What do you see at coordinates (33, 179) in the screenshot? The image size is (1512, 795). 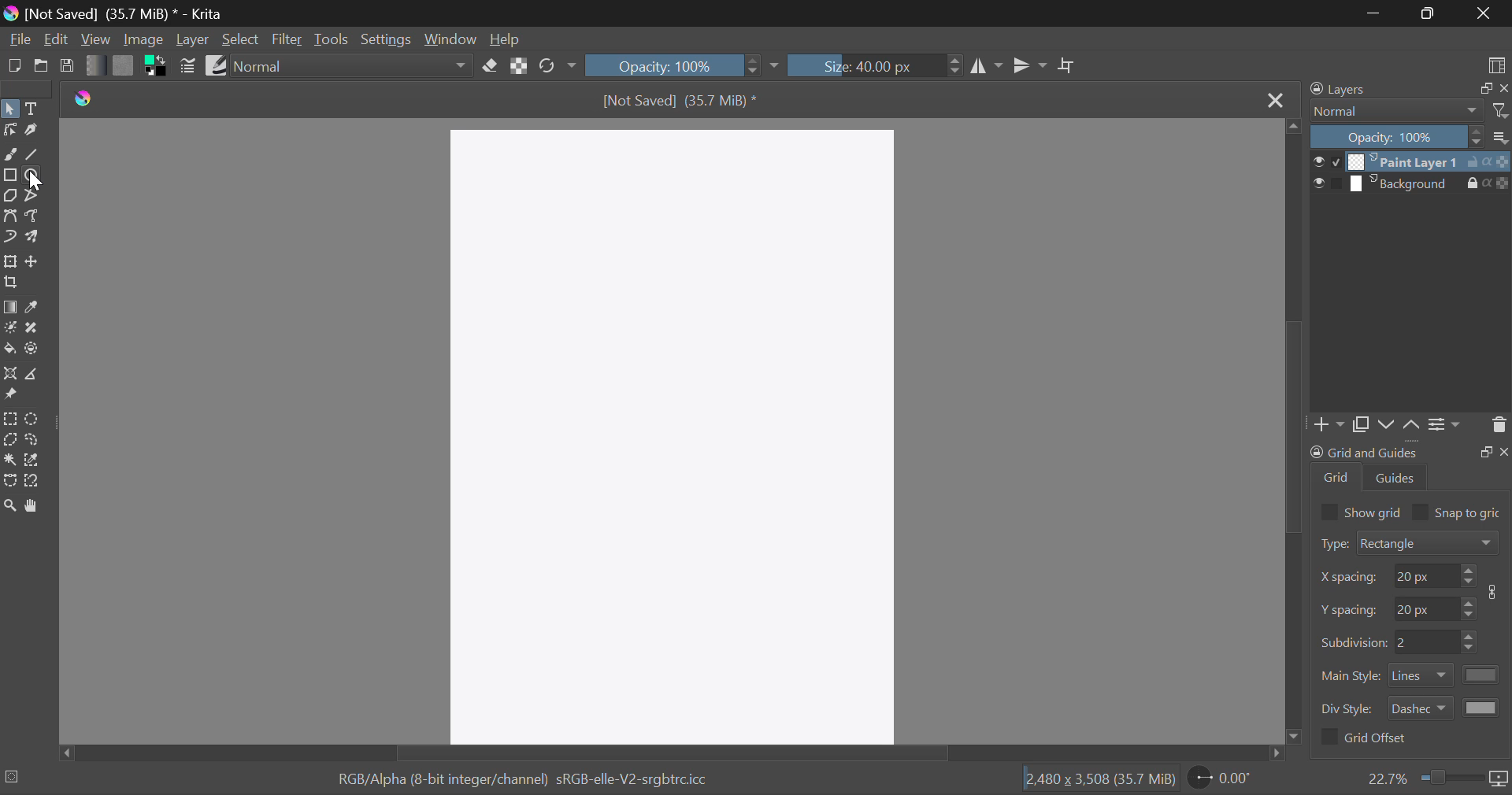 I see `cursor` at bounding box center [33, 179].